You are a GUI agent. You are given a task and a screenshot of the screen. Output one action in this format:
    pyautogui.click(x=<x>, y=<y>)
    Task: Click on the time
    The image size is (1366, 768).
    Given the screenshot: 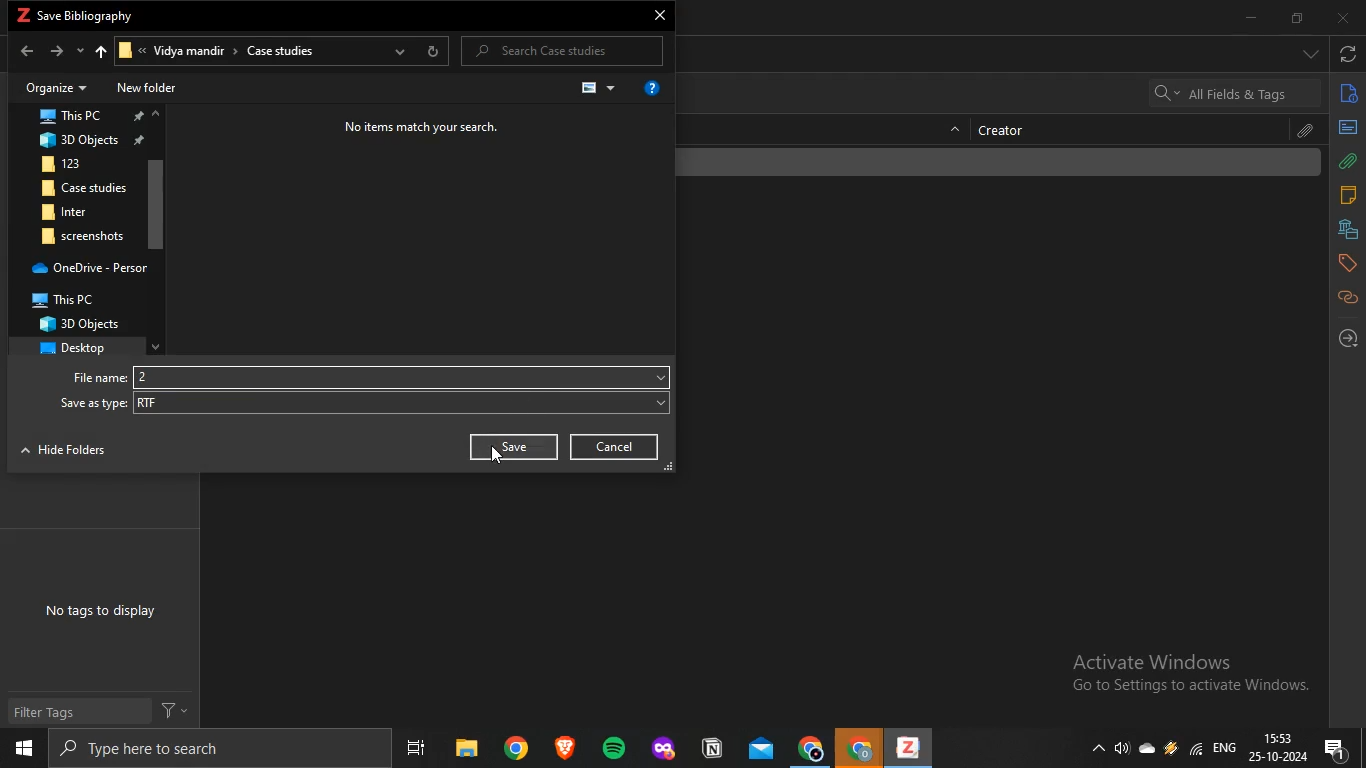 What is the action you would take?
    pyautogui.click(x=1279, y=737)
    